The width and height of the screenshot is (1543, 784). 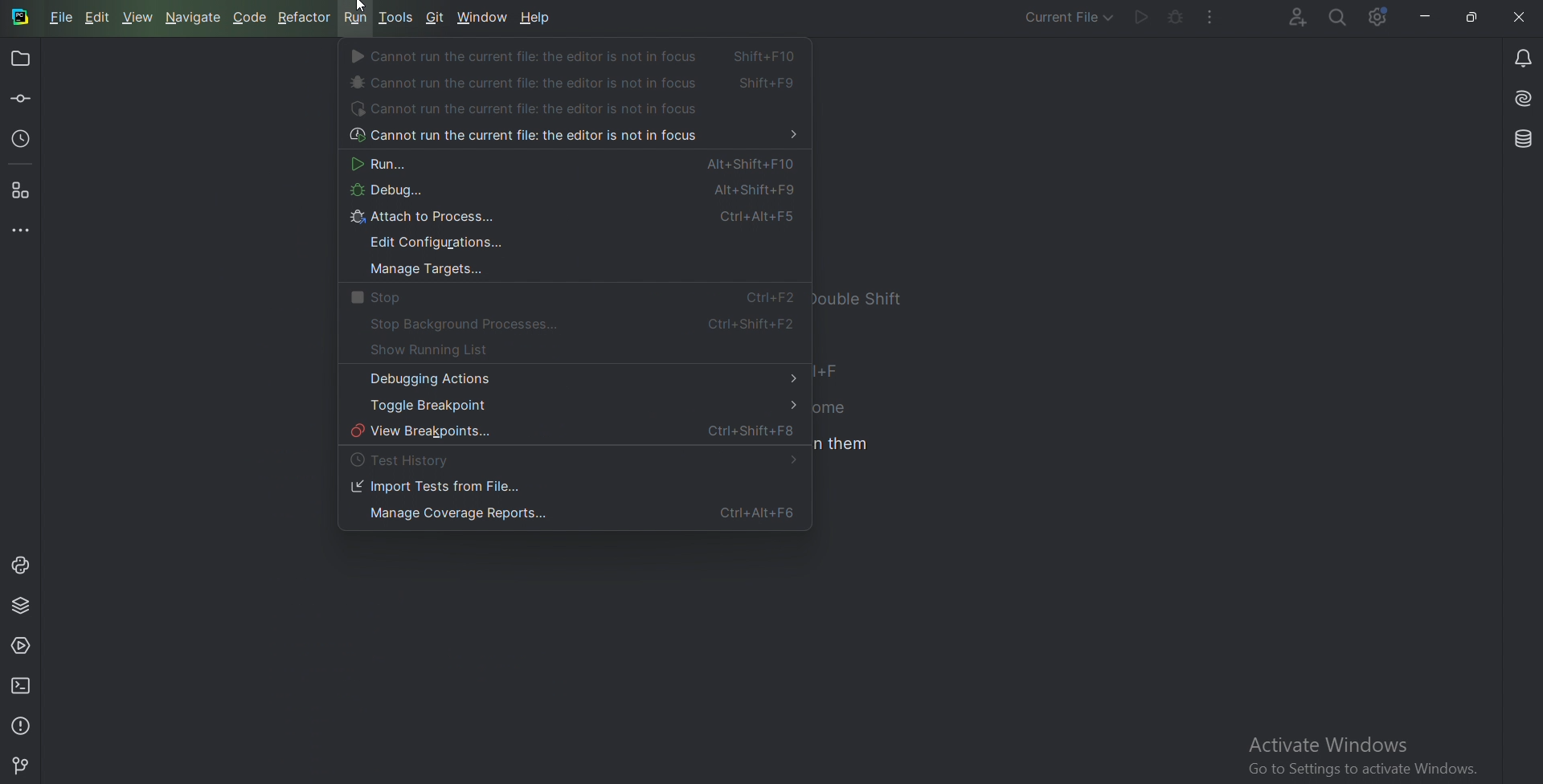 I want to click on Help, so click(x=537, y=19).